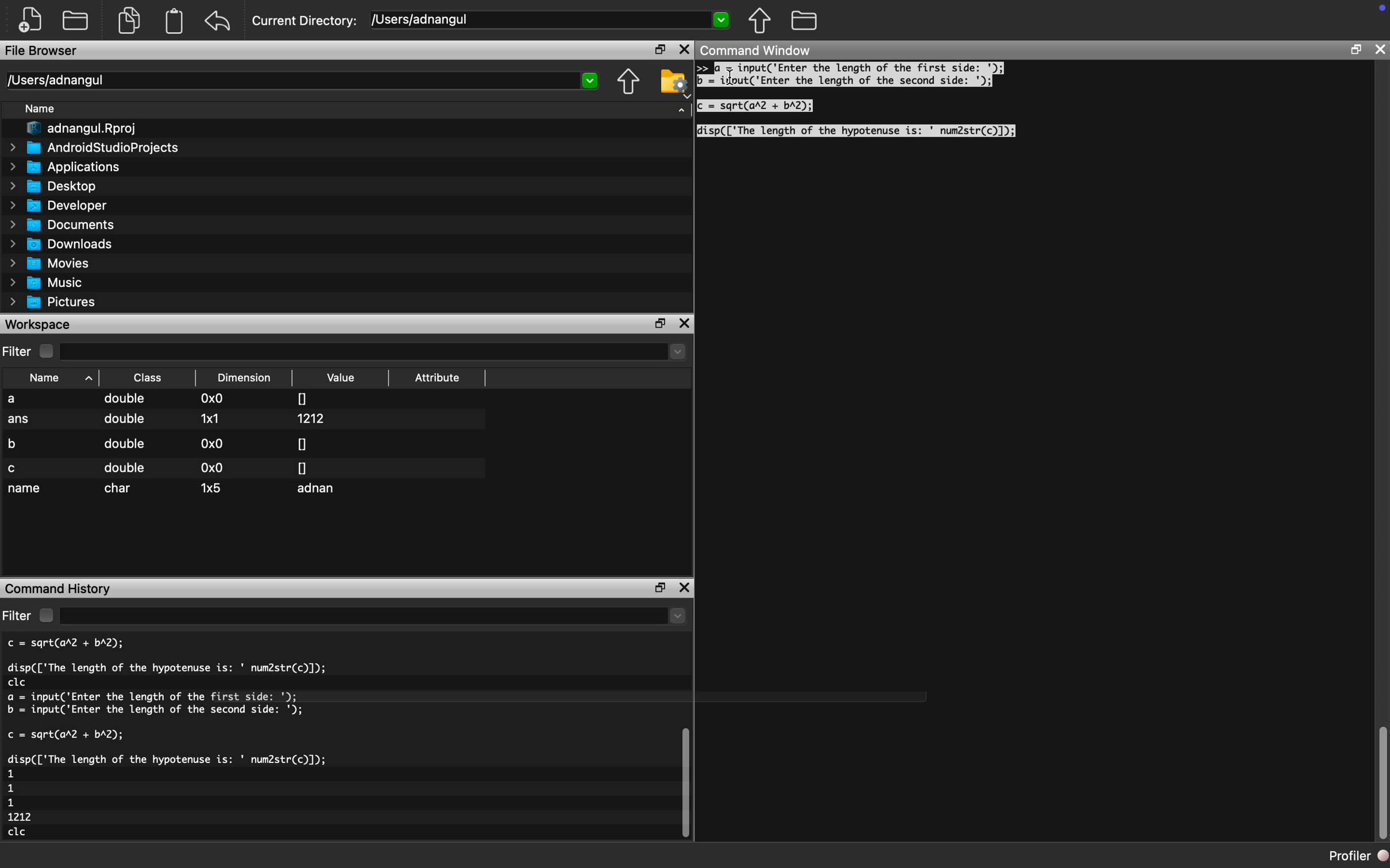 The width and height of the screenshot is (1390, 868). I want to click on restore down, so click(662, 324).